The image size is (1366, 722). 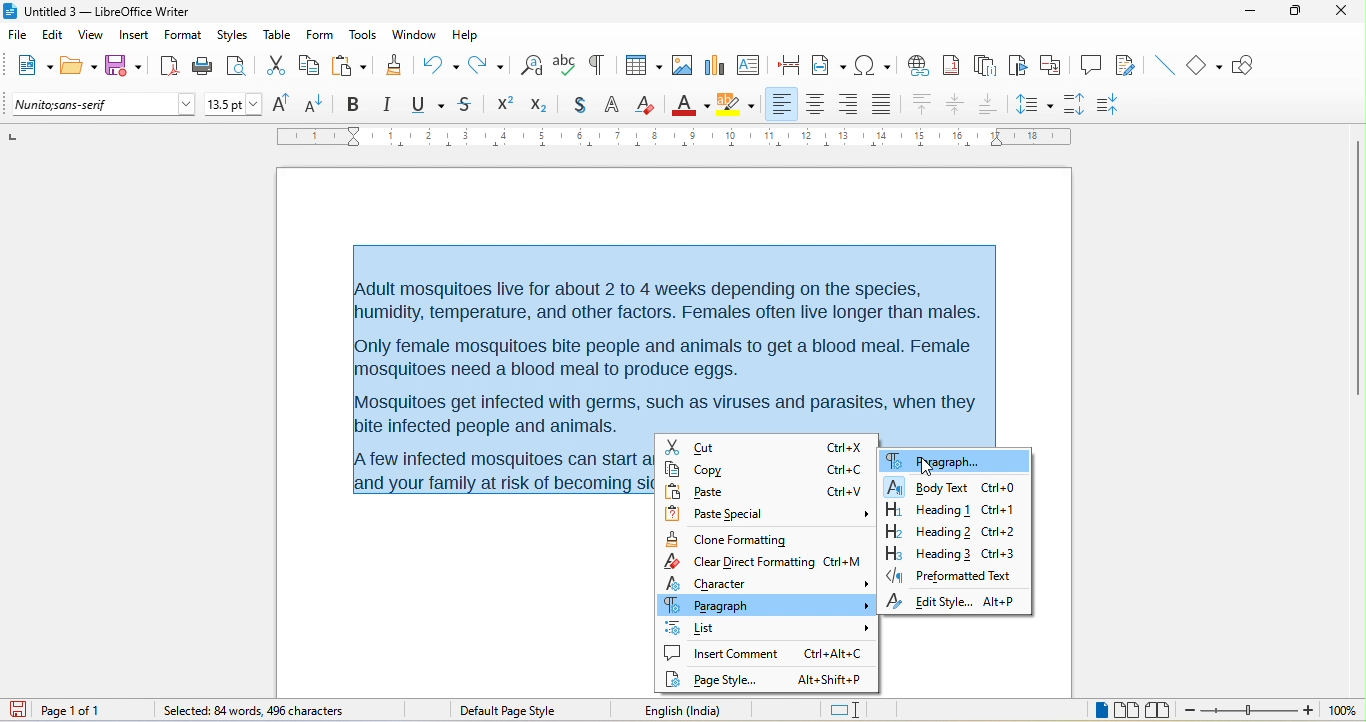 What do you see at coordinates (362, 36) in the screenshot?
I see `tools` at bounding box center [362, 36].